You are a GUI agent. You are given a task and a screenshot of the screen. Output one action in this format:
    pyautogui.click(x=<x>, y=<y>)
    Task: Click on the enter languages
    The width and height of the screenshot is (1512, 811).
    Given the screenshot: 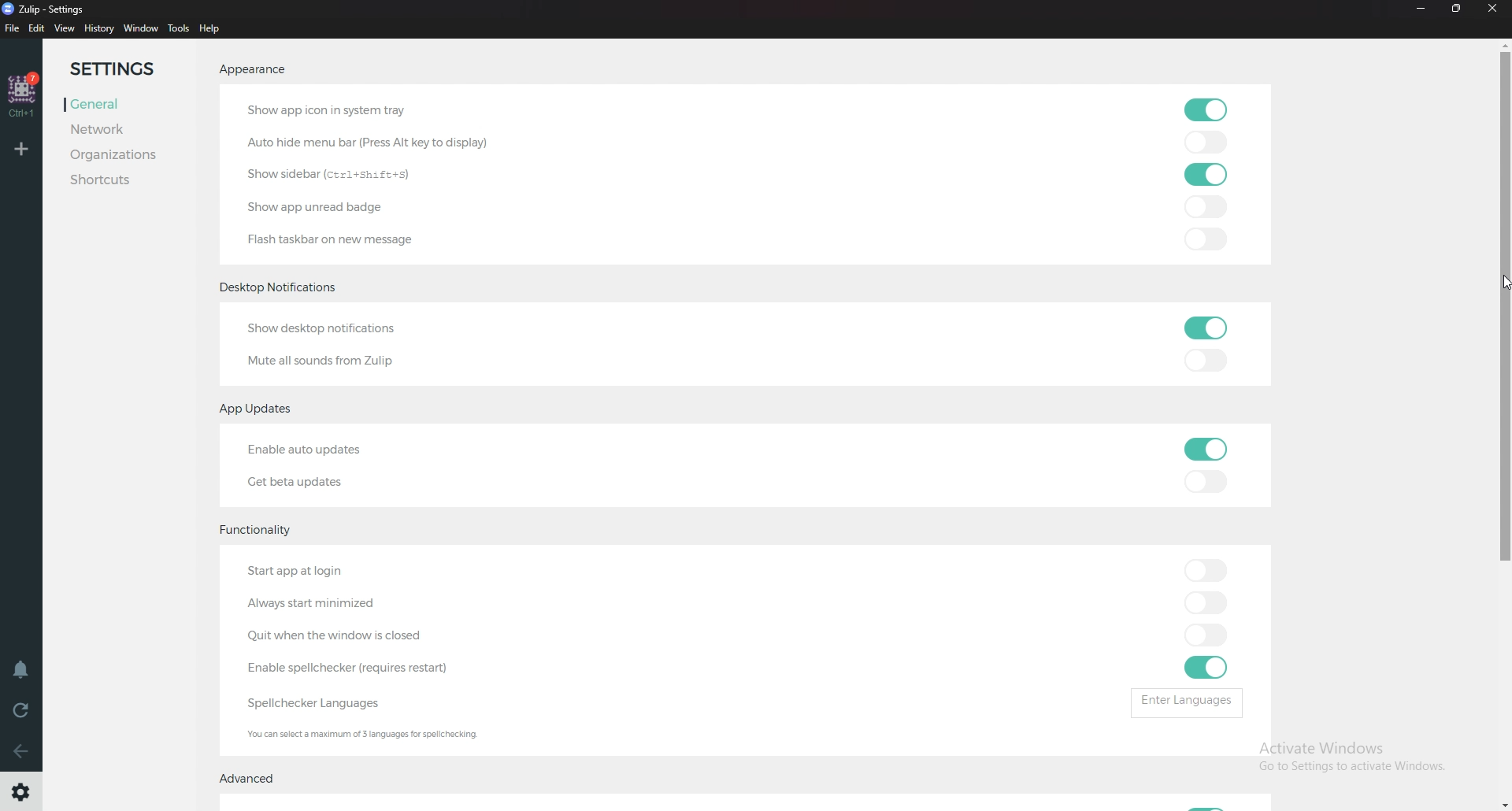 What is the action you would take?
    pyautogui.click(x=1187, y=704)
    